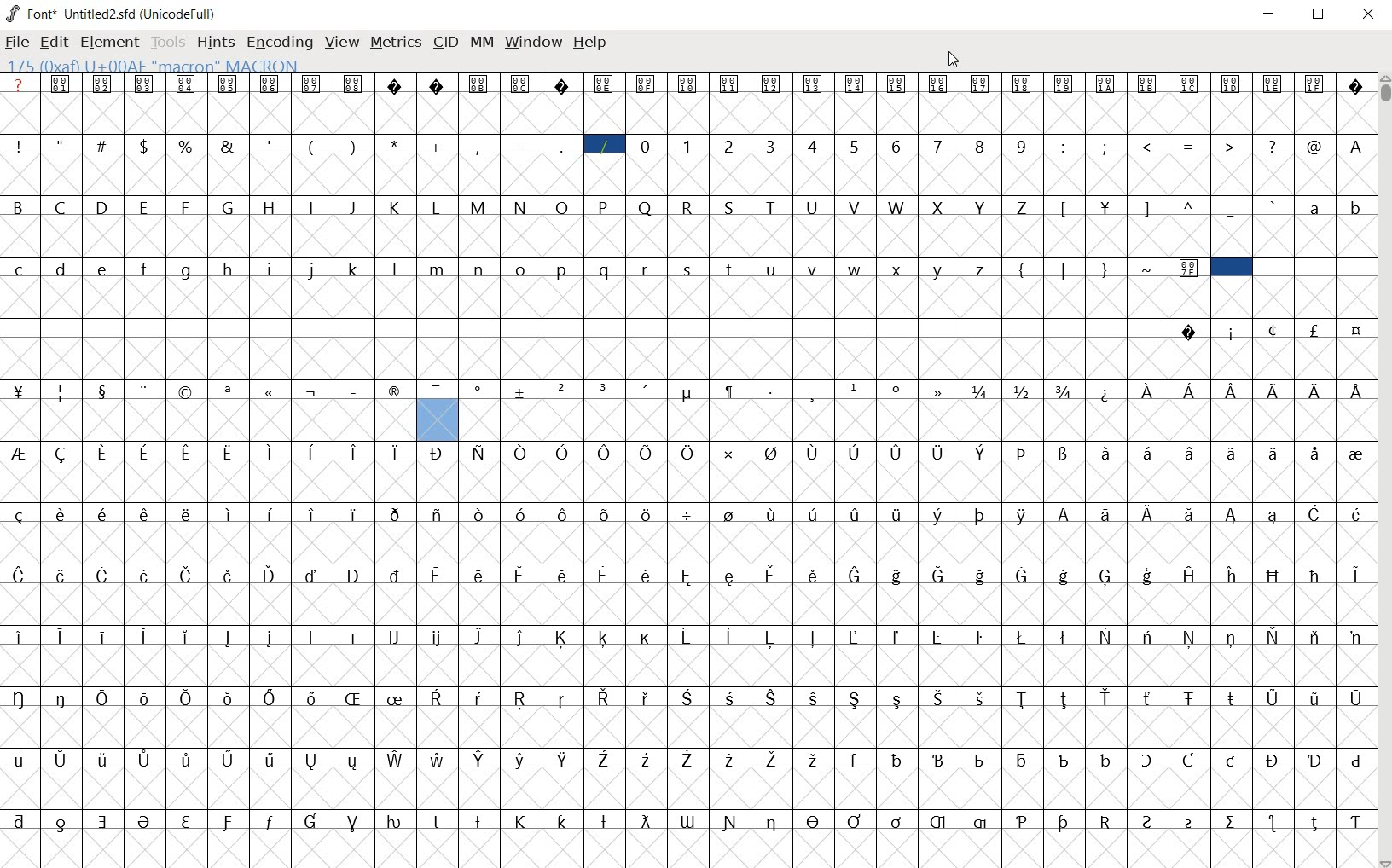 This screenshot has width=1392, height=868. What do you see at coordinates (730, 698) in the screenshot?
I see `Symbol` at bounding box center [730, 698].